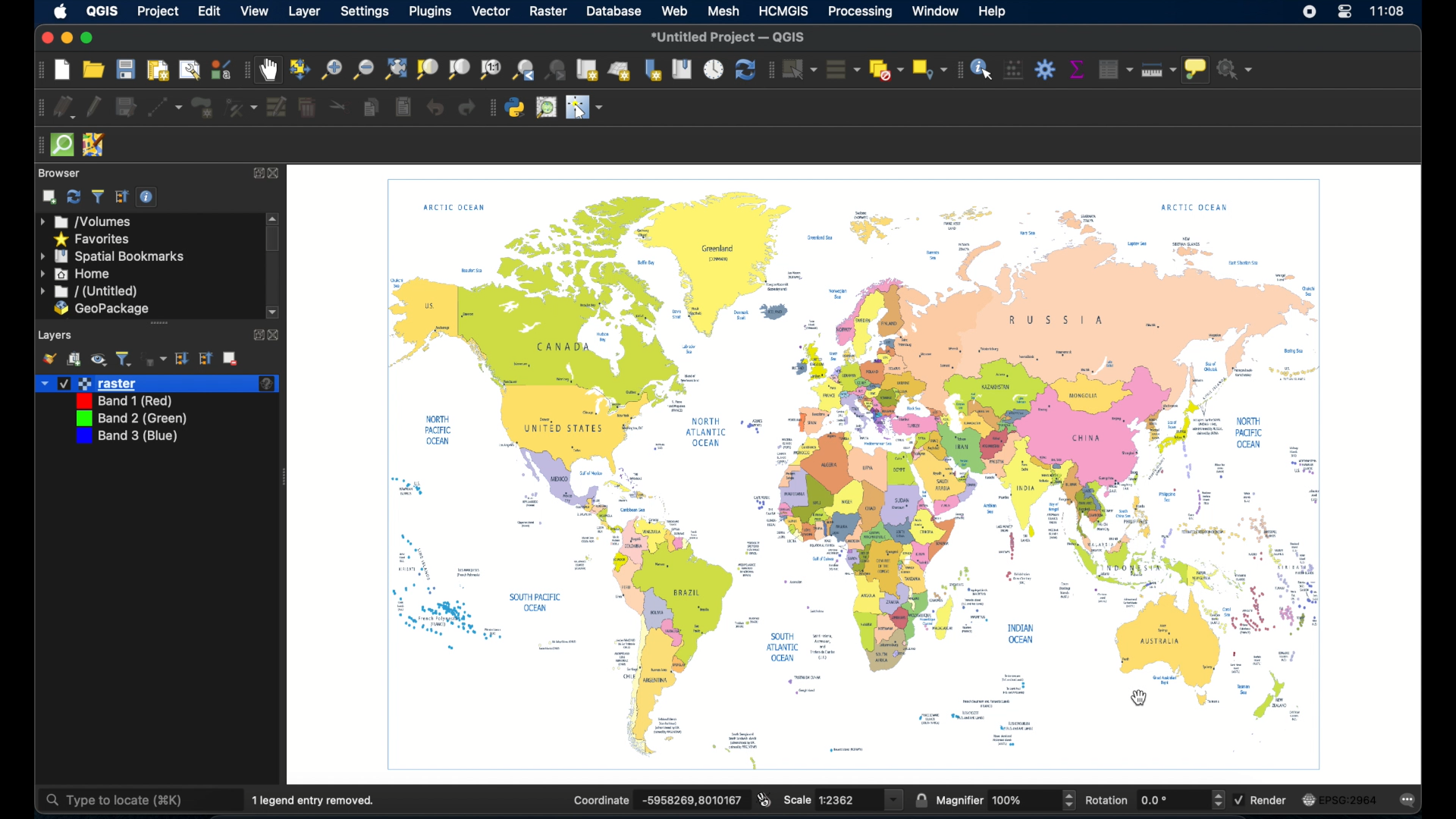 The height and width of the screenshot is (819, 1456). I want to click on attribute toolbar, so click(957, 70).